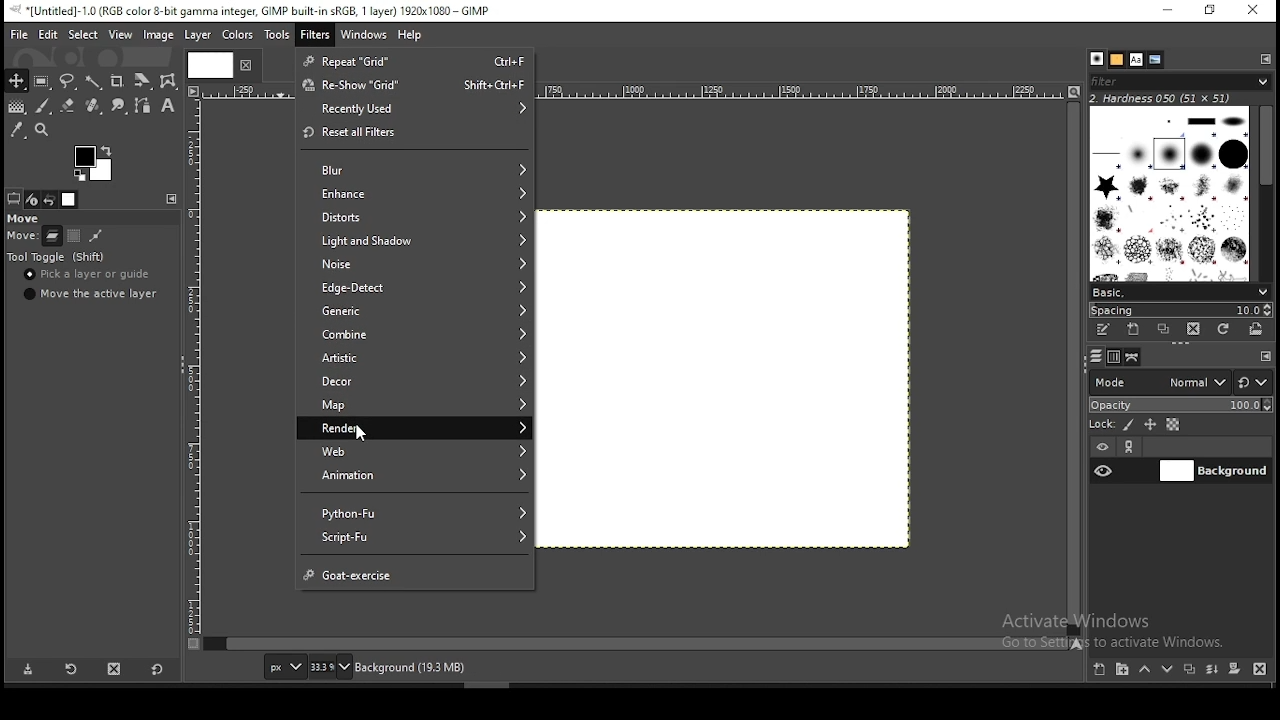 The image size is (1280, 720). Describe the element at coordinates (1255, 12) in the screenshot. I see `close window` at that location.